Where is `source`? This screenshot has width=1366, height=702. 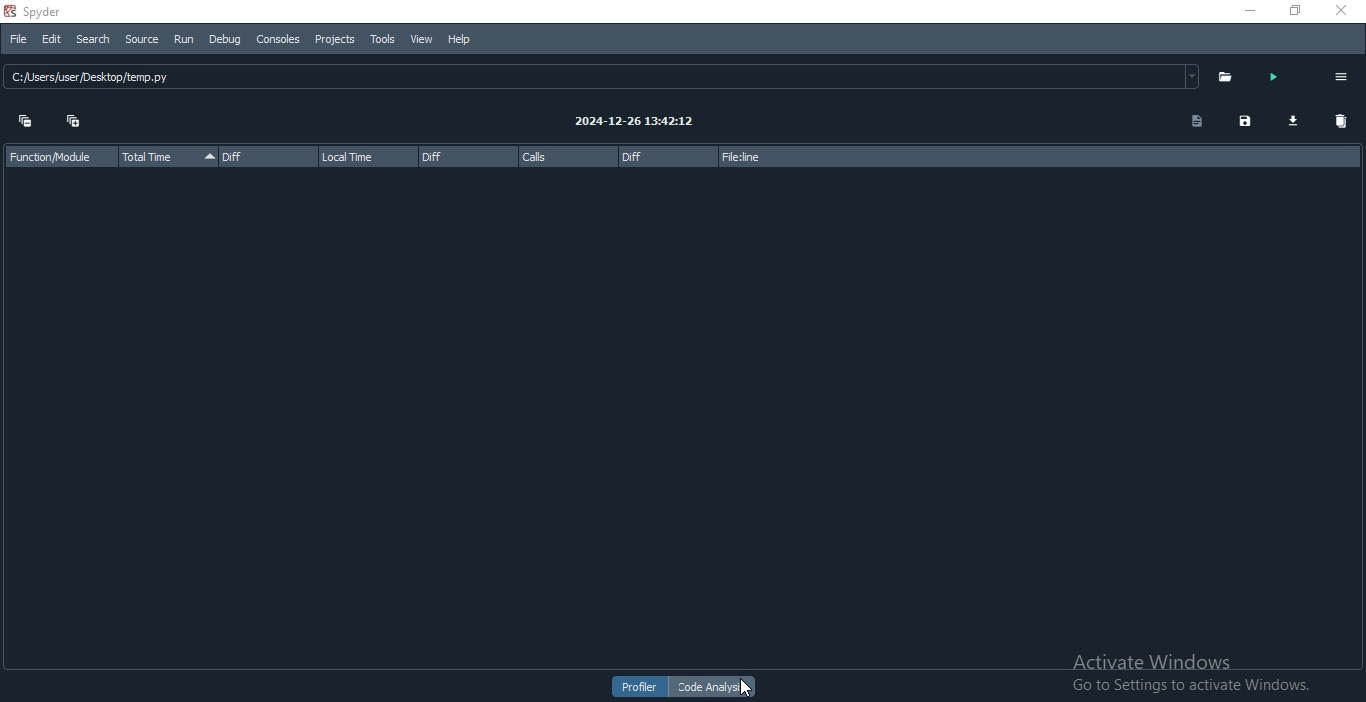
source is located at coordinates (139, 38).